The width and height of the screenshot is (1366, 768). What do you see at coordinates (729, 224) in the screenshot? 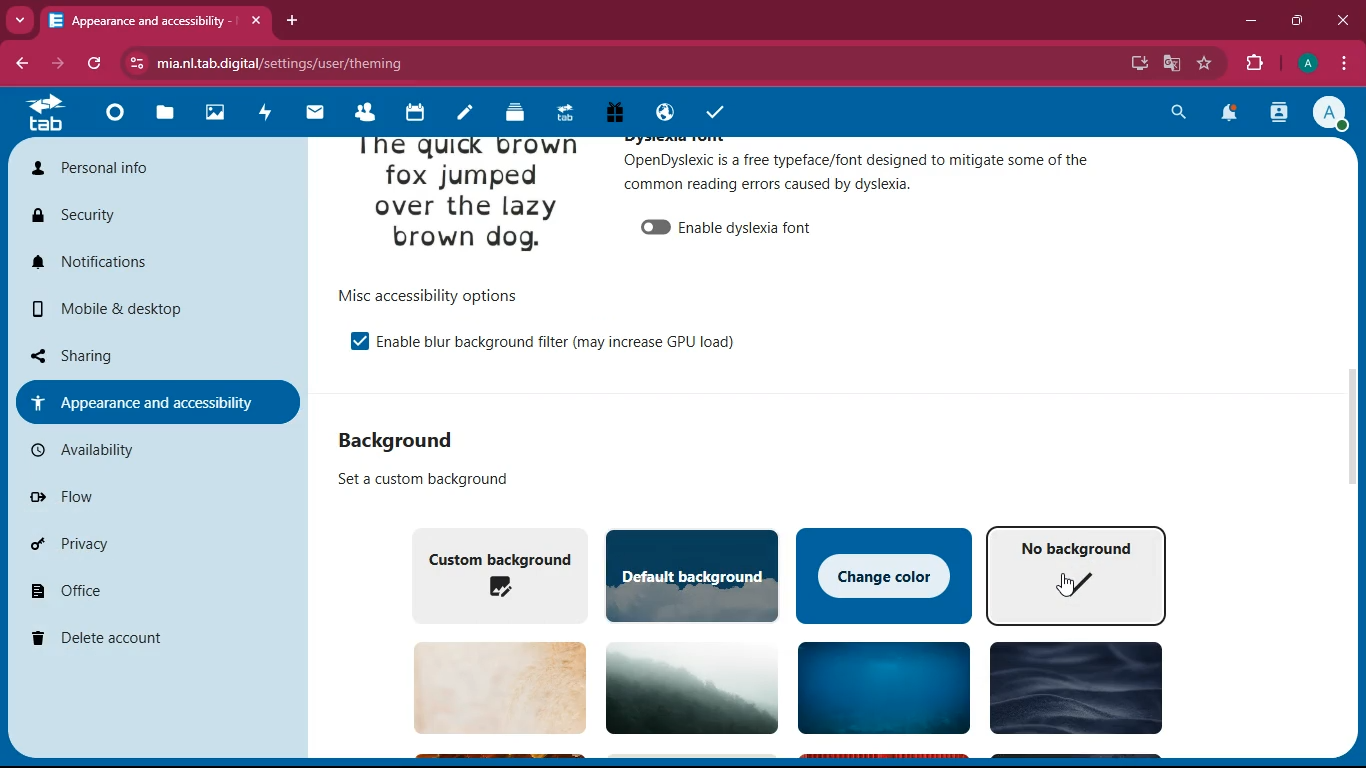
I see `enable` at bounding box center [729, 224].